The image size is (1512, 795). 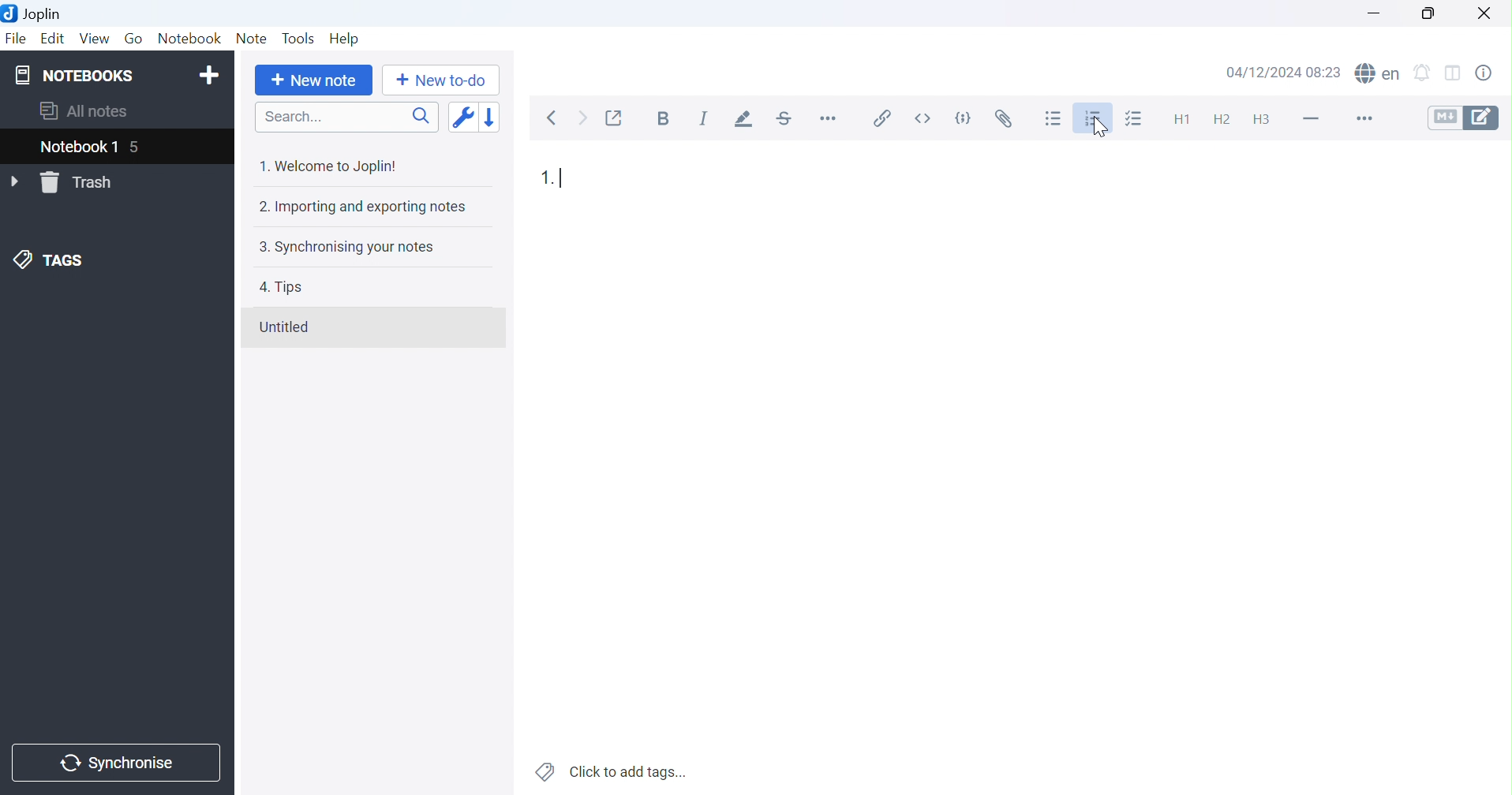 What do you see at coordinates (16, 39) in the screenshot?
I see `File` at bounding box center [16, 39].